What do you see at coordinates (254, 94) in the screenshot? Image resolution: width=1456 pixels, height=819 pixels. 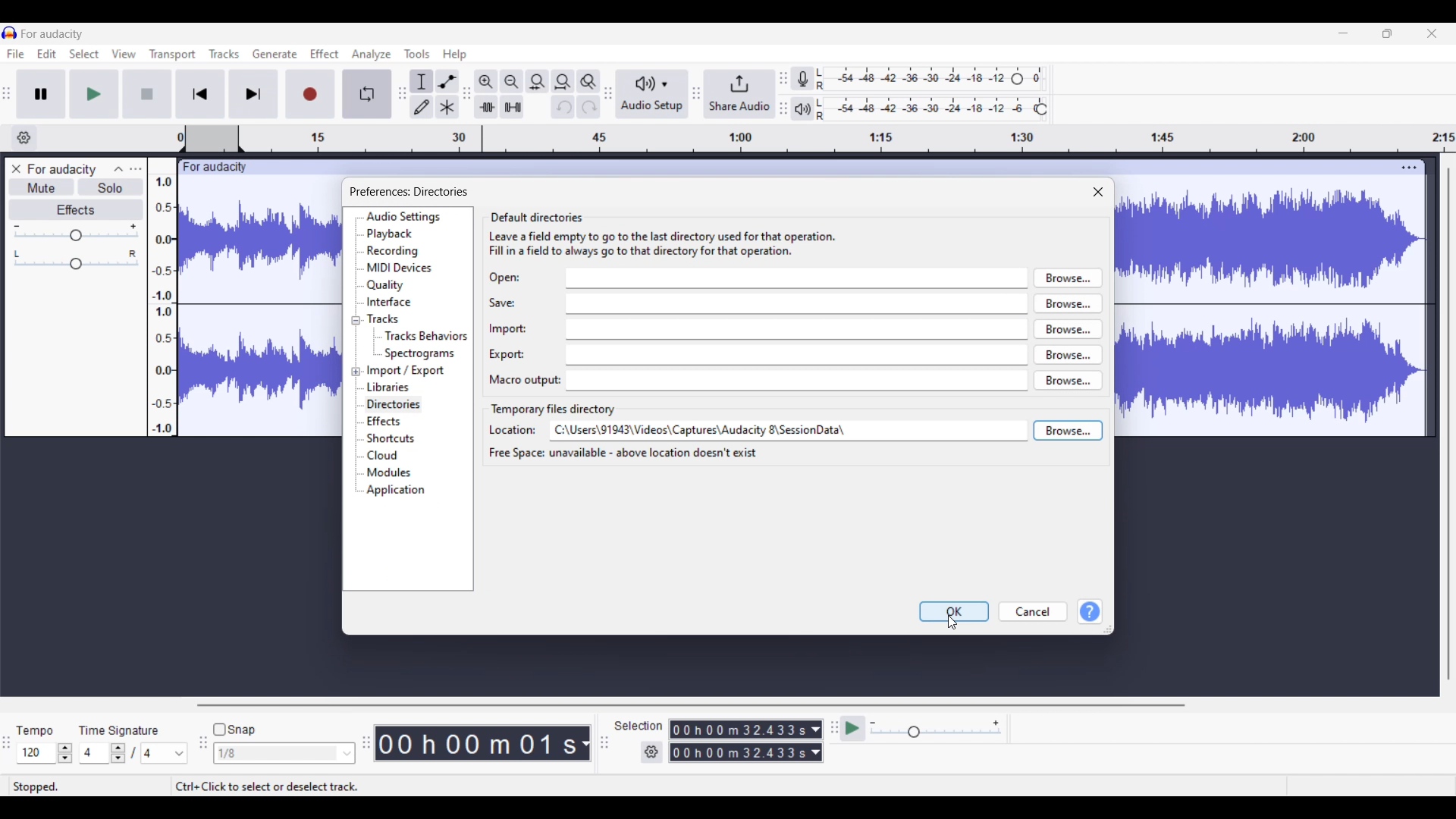 I see `Skip/Select to end` at bounding box center [254, 94].